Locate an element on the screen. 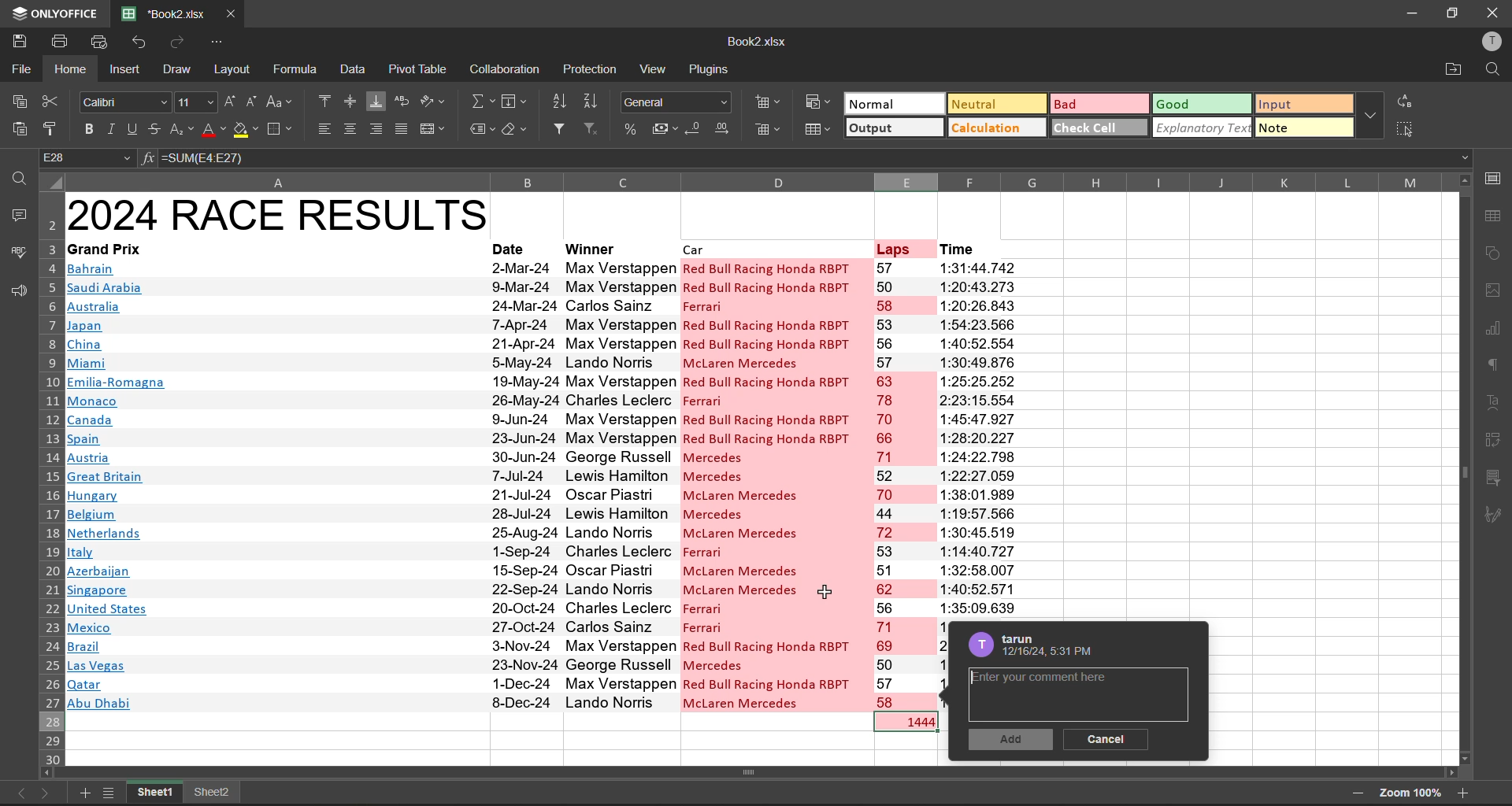  sub/superscript is located at coordinates (183, 130).